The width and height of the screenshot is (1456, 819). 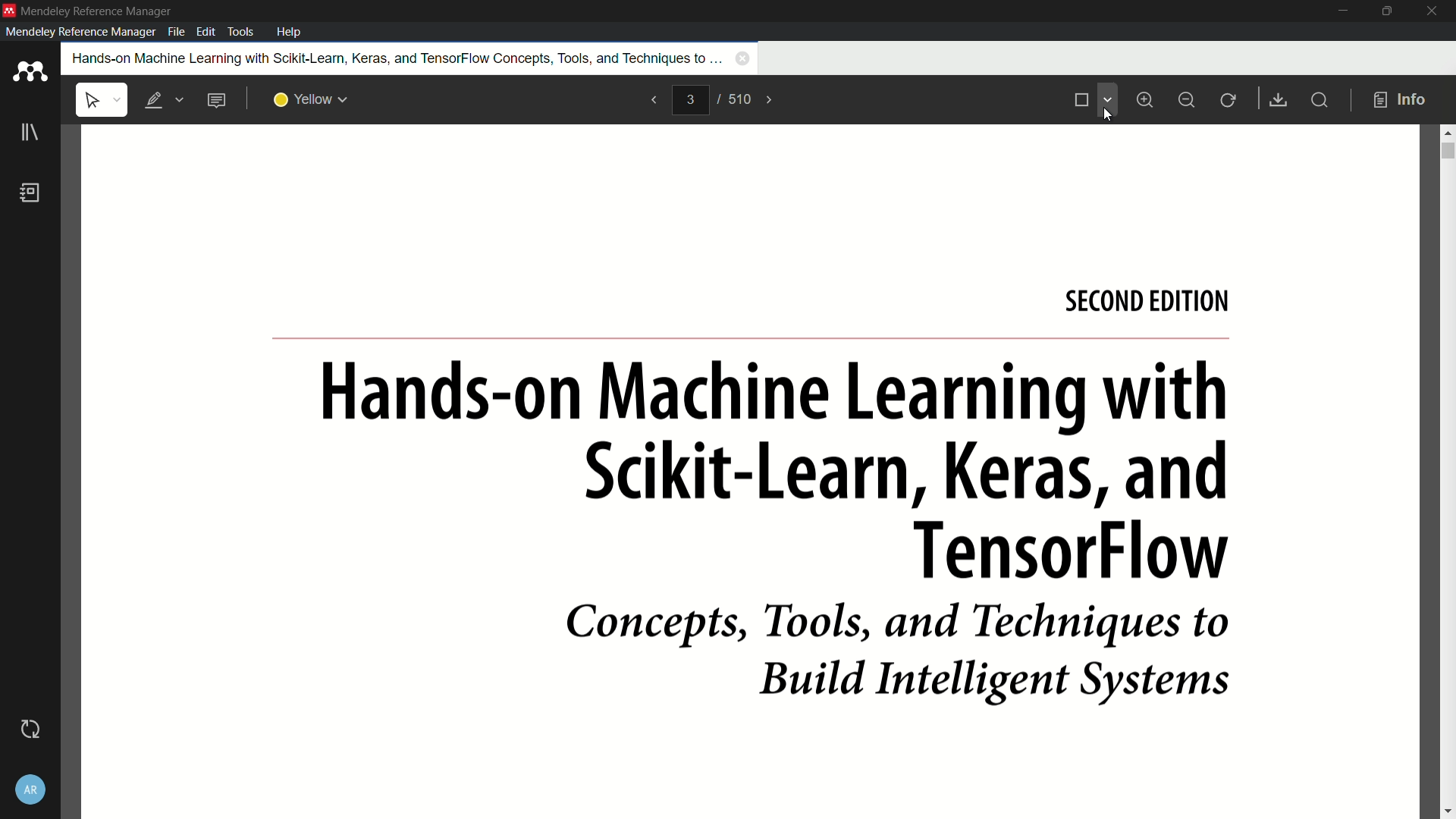 I want to click on info, so click(x=1401, y=101).